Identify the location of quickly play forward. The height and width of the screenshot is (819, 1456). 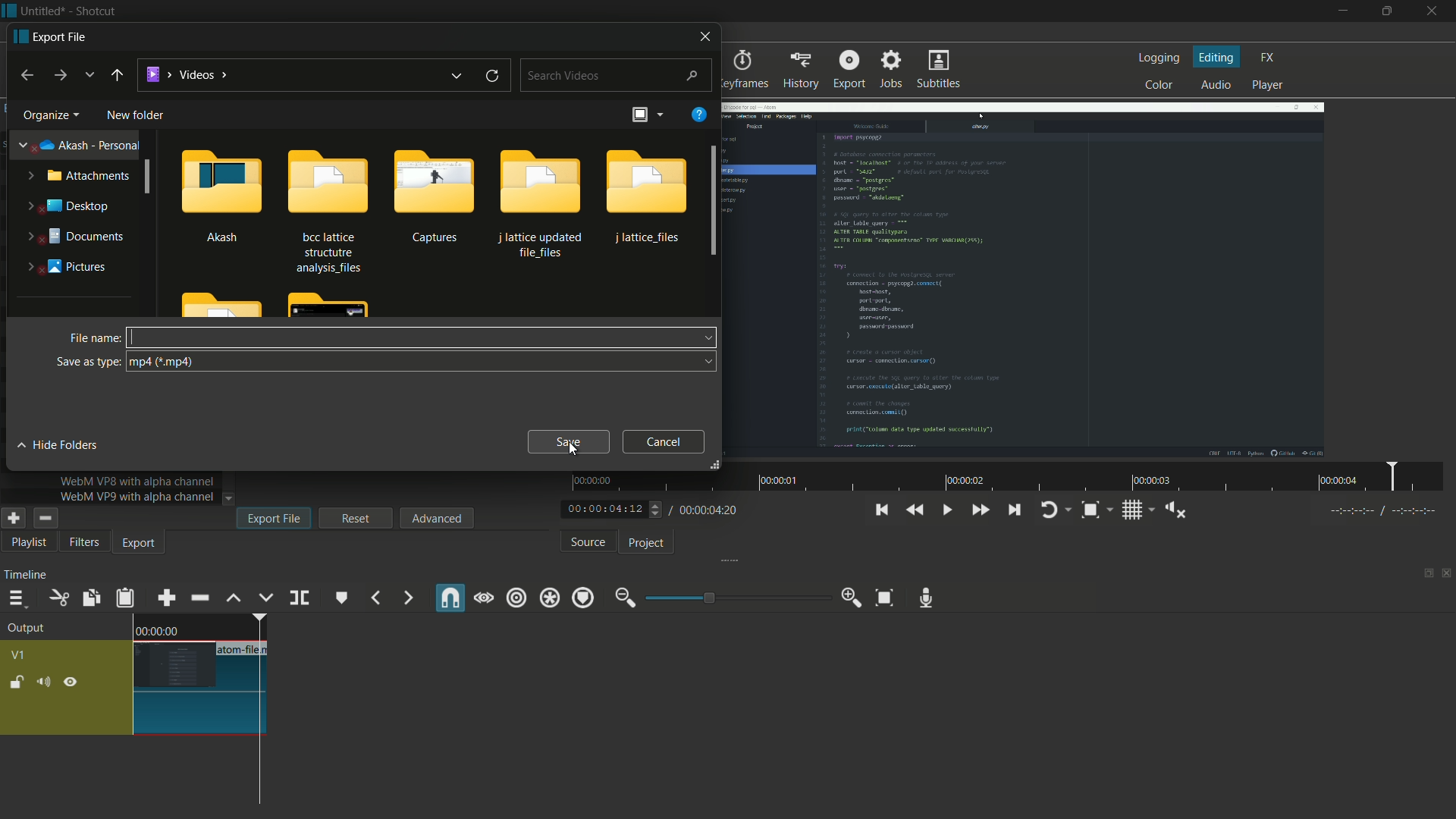
(981, 511).